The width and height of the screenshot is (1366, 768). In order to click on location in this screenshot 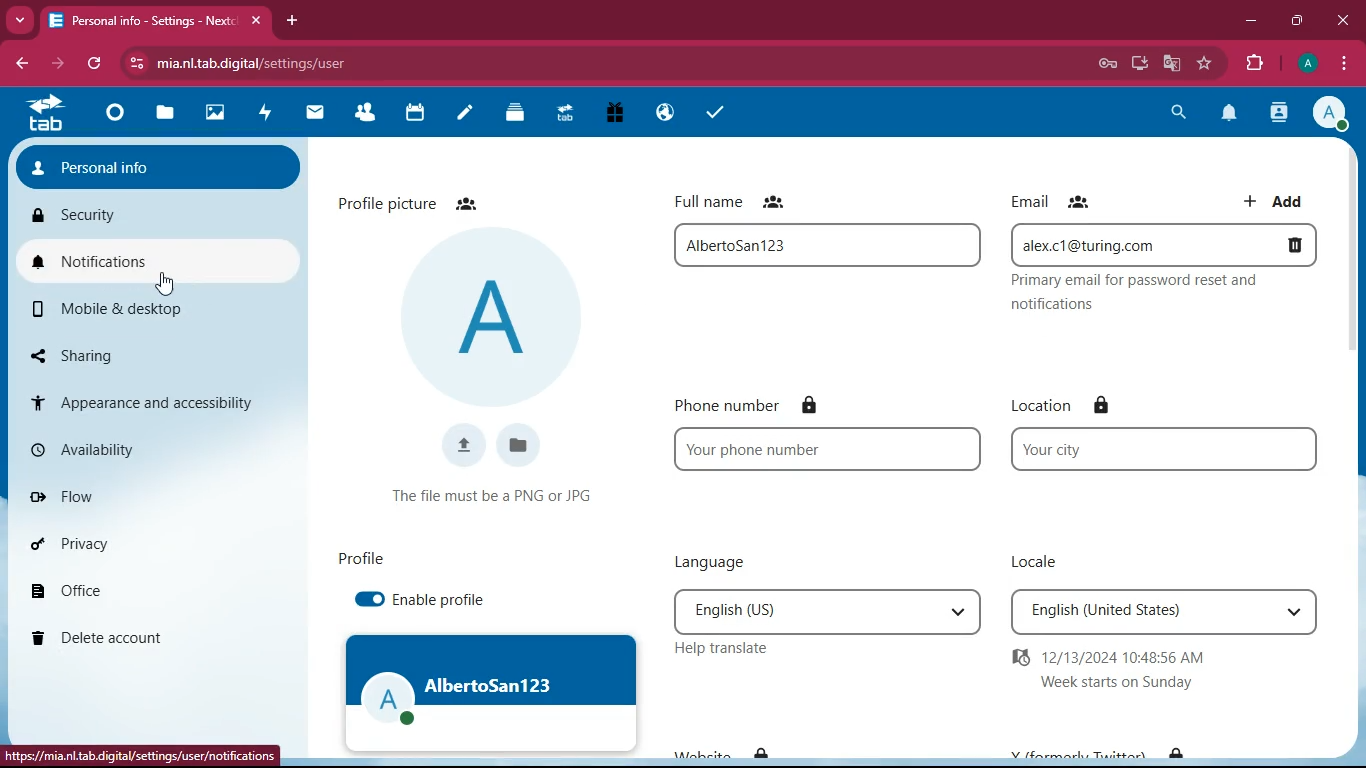, I will do `click(1042, 408)`.